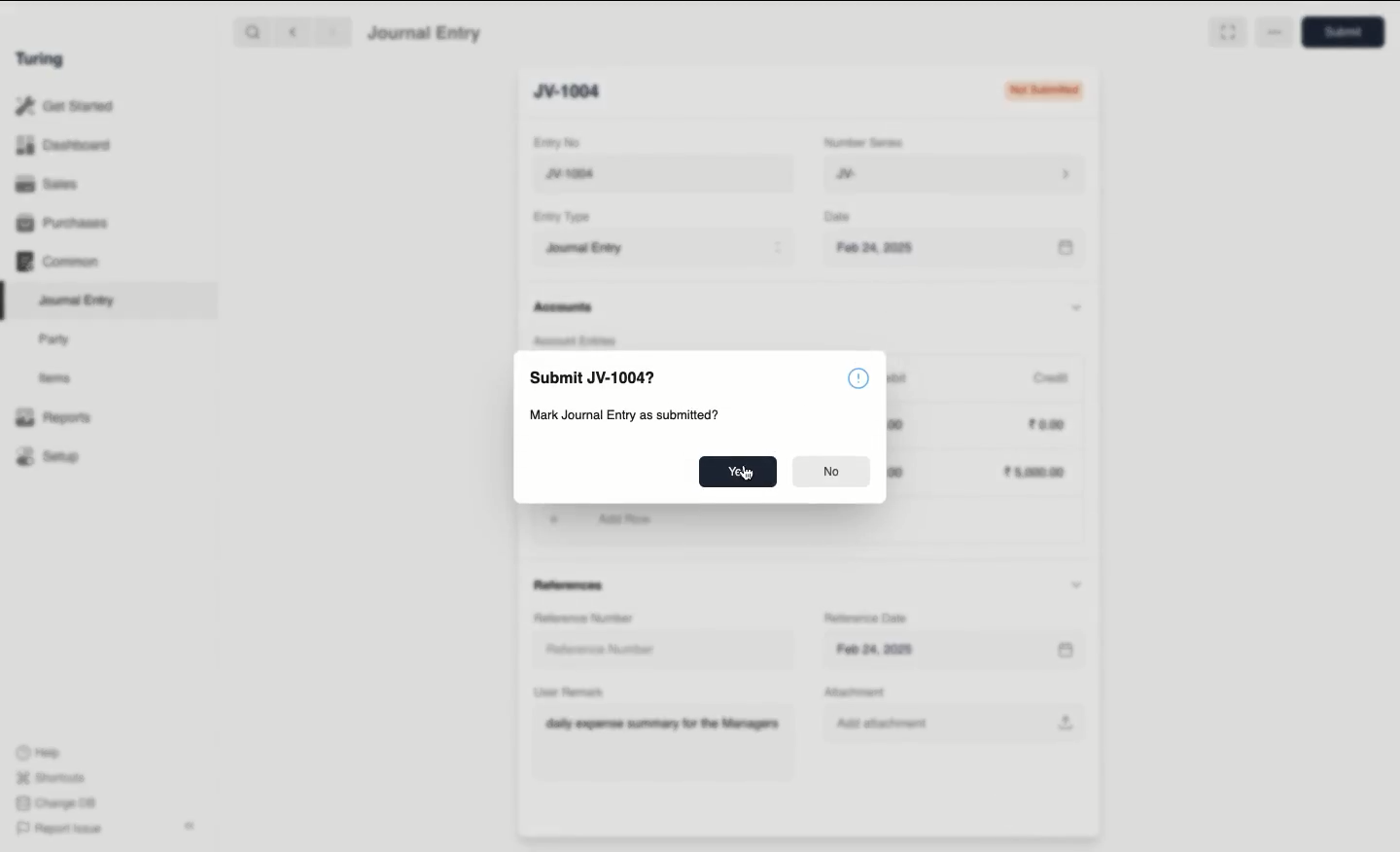  Describe the element at coordinates (1348, 32) in the screenshot. I see `Save` at that location.